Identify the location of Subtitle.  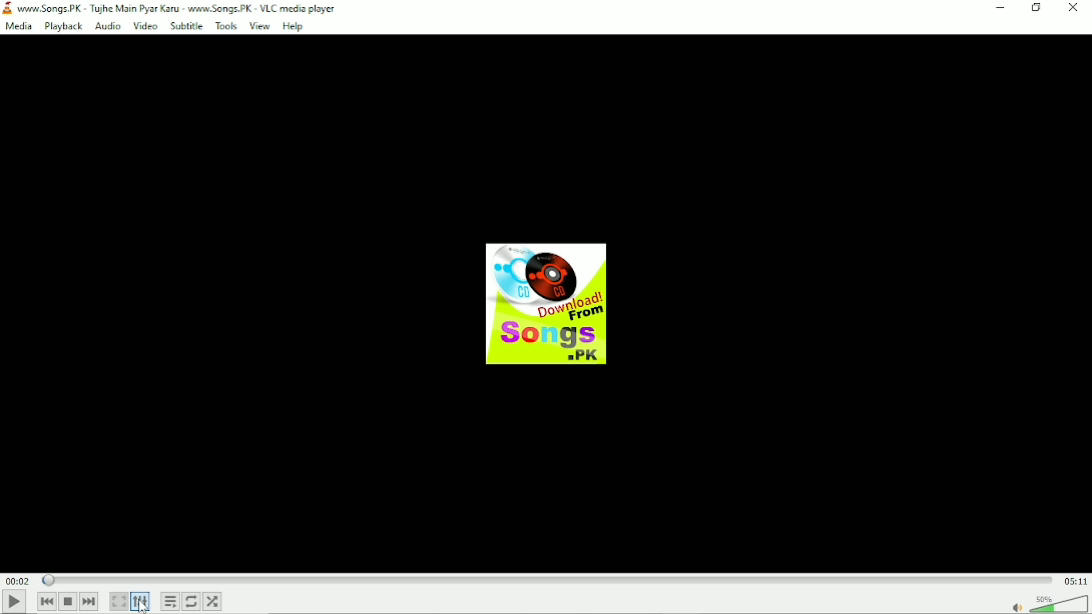
(186, 27).